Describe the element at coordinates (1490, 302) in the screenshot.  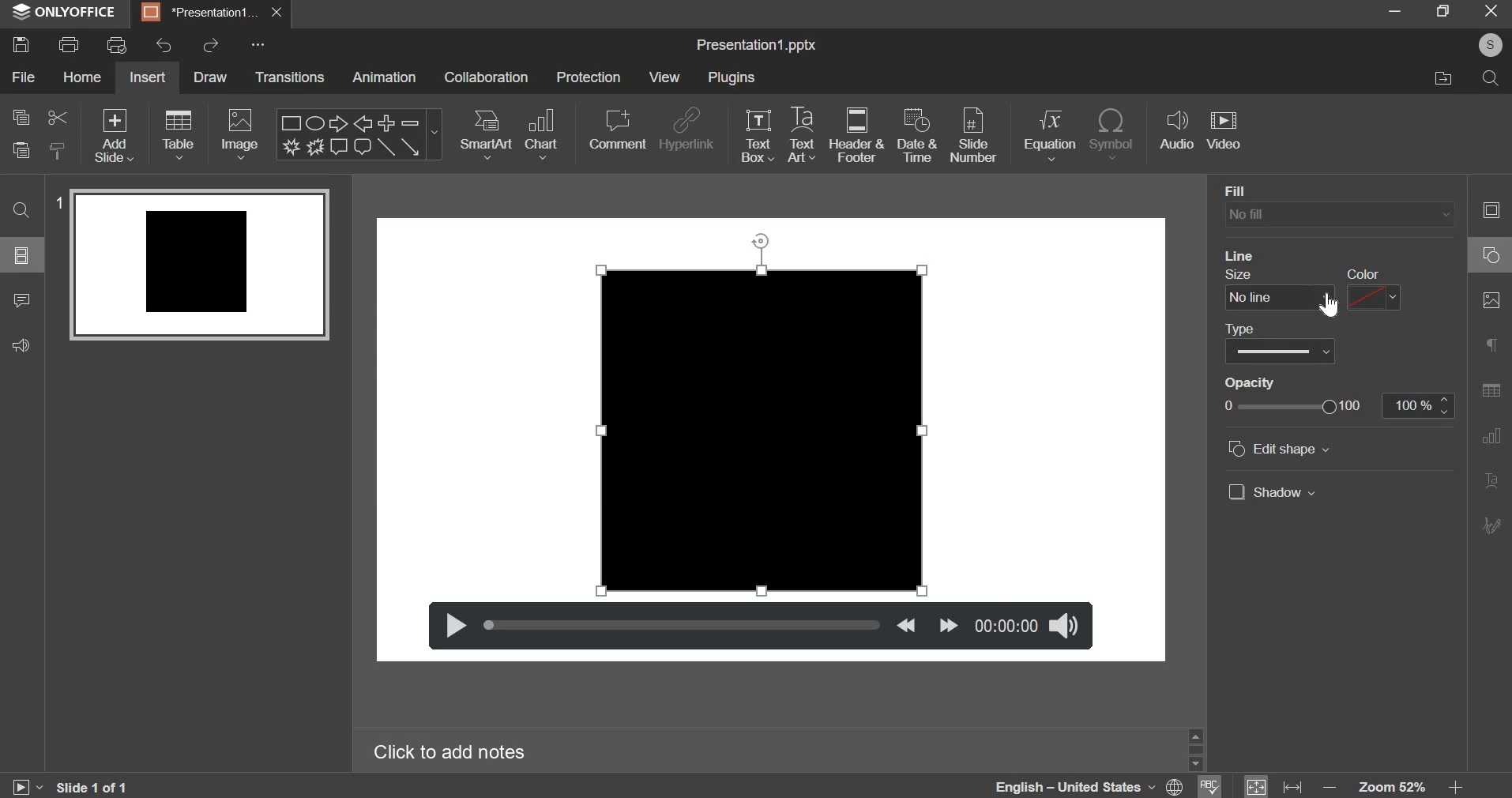
I see `Photos` at that location.